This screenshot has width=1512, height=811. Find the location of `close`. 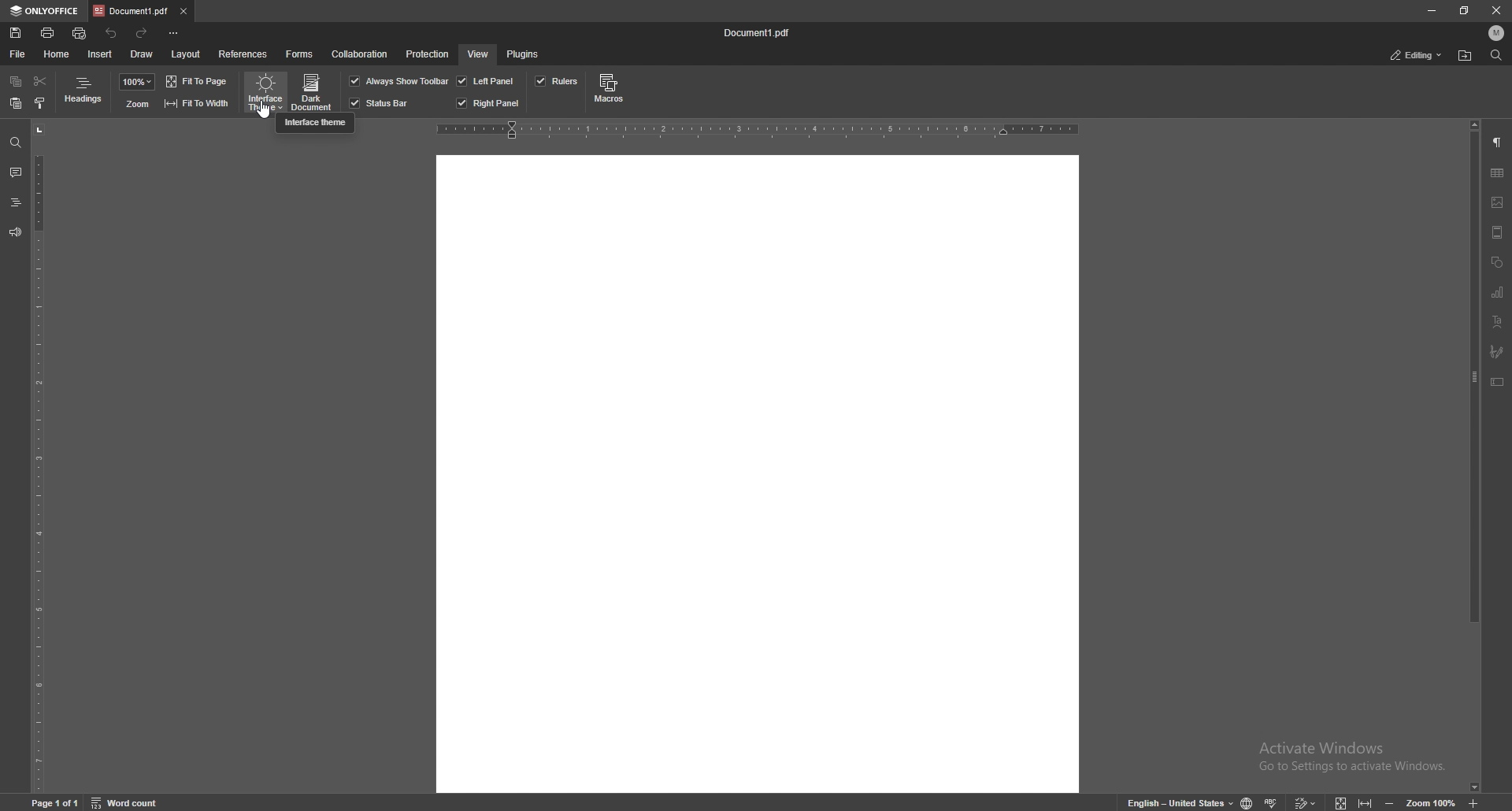

close is located at coordinates (1492, 11).